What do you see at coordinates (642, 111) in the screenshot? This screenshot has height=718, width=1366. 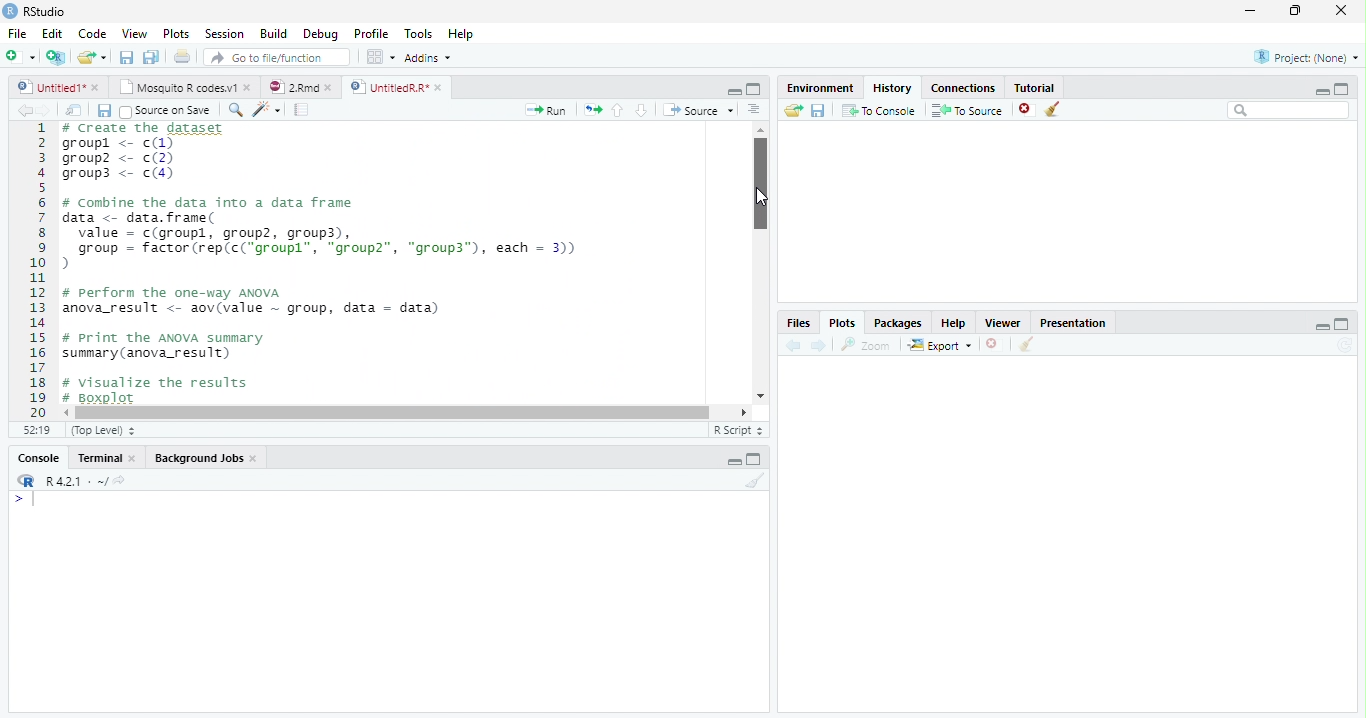 I see `Go to next section ` at bounding box center [642, 111].